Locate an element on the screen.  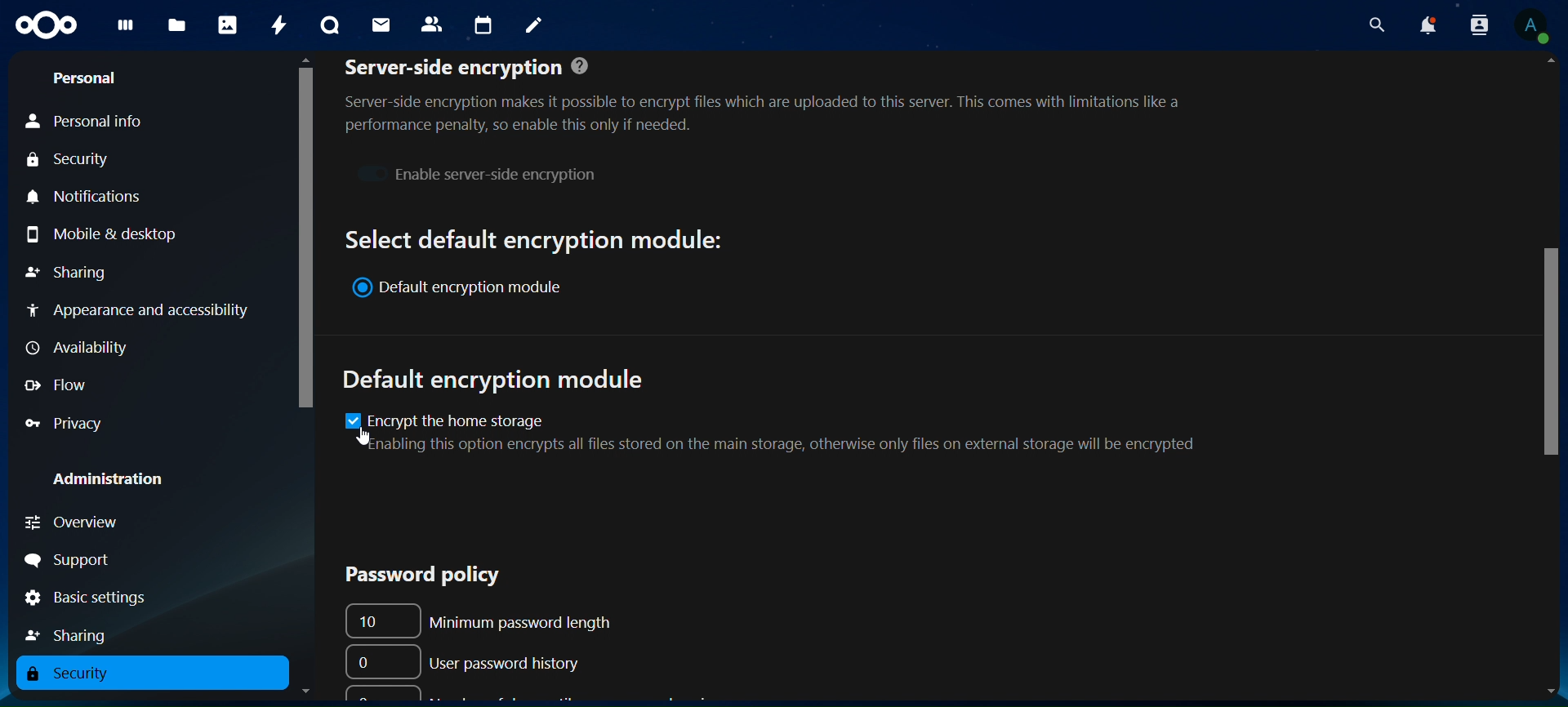
basic settings is located at coordinates (87, 599).